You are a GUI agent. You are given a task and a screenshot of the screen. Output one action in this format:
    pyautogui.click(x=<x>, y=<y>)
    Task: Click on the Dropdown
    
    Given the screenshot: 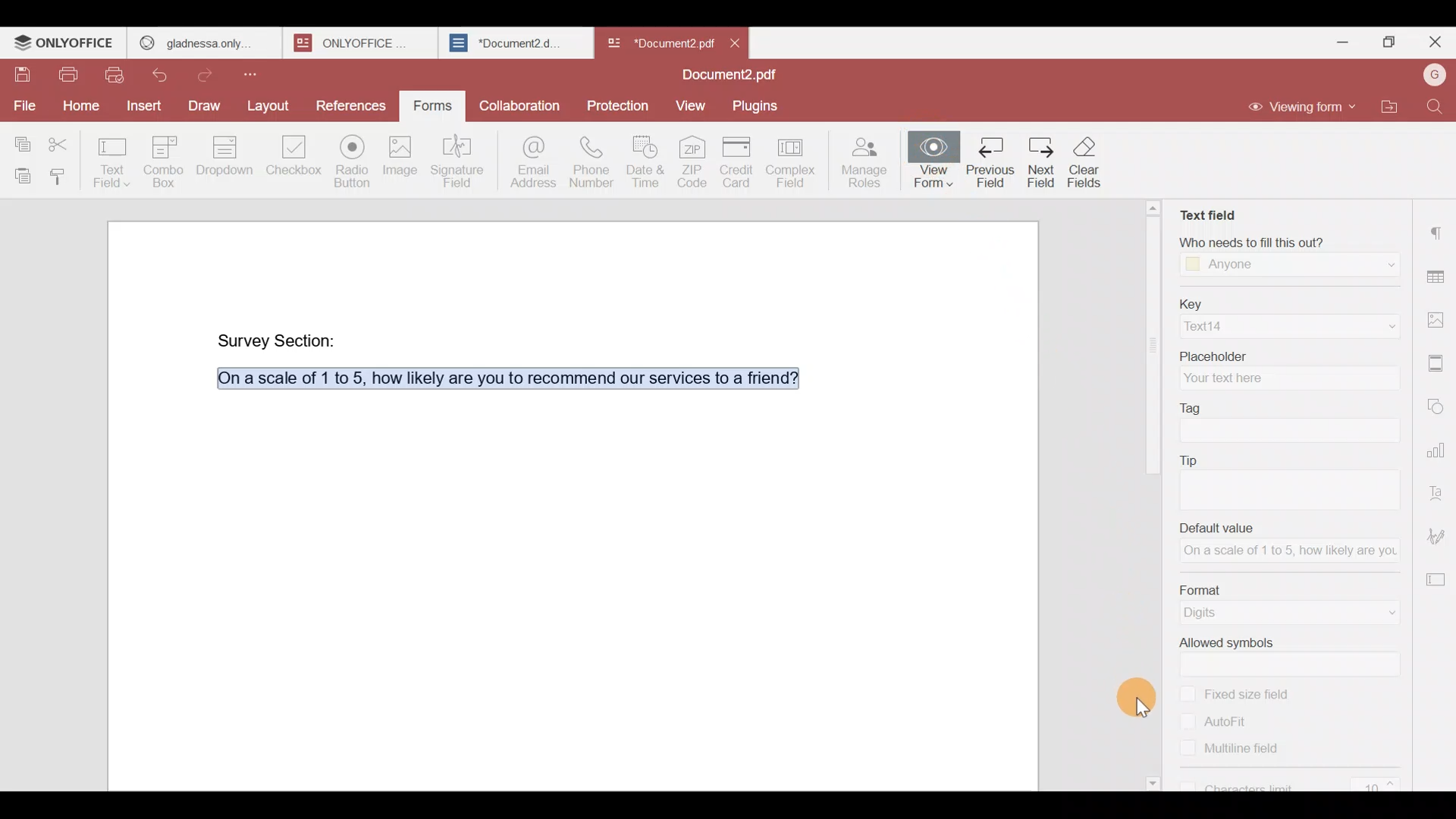 What is the action you would take?
    pyautogui.click(x=221, y=158)
    